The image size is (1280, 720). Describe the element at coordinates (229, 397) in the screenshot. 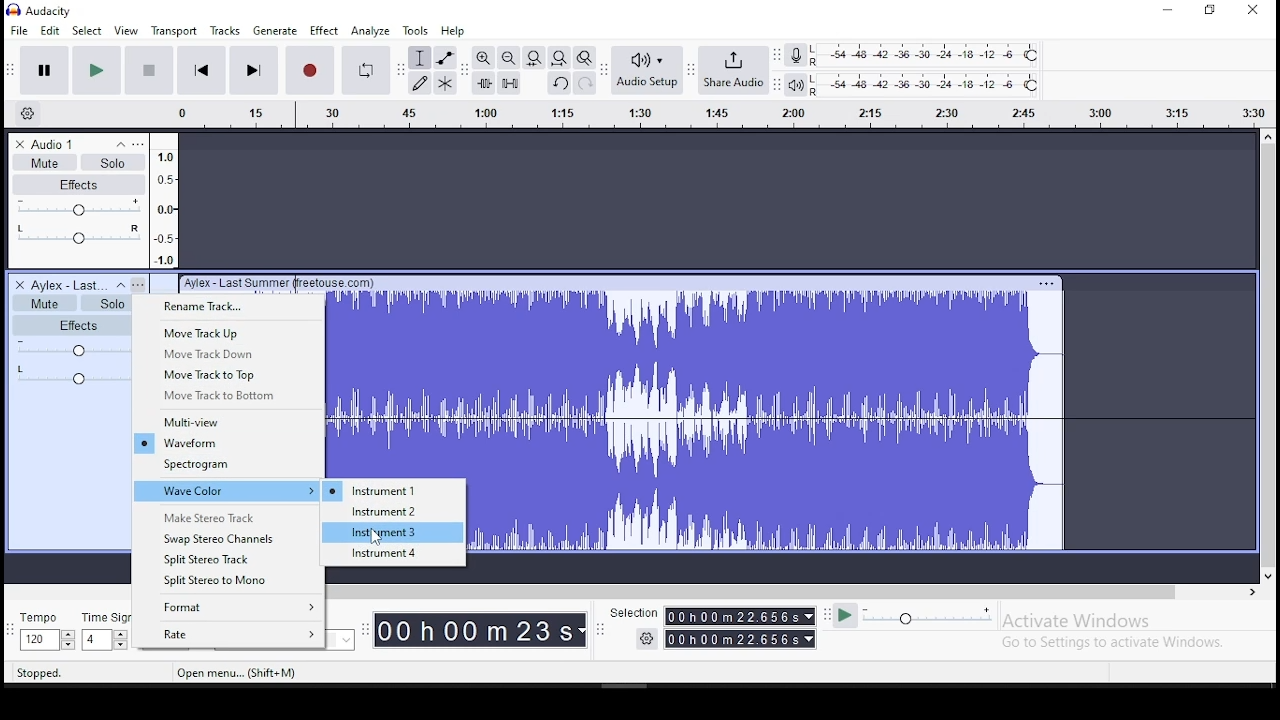

I see `move to bottom` at that location.